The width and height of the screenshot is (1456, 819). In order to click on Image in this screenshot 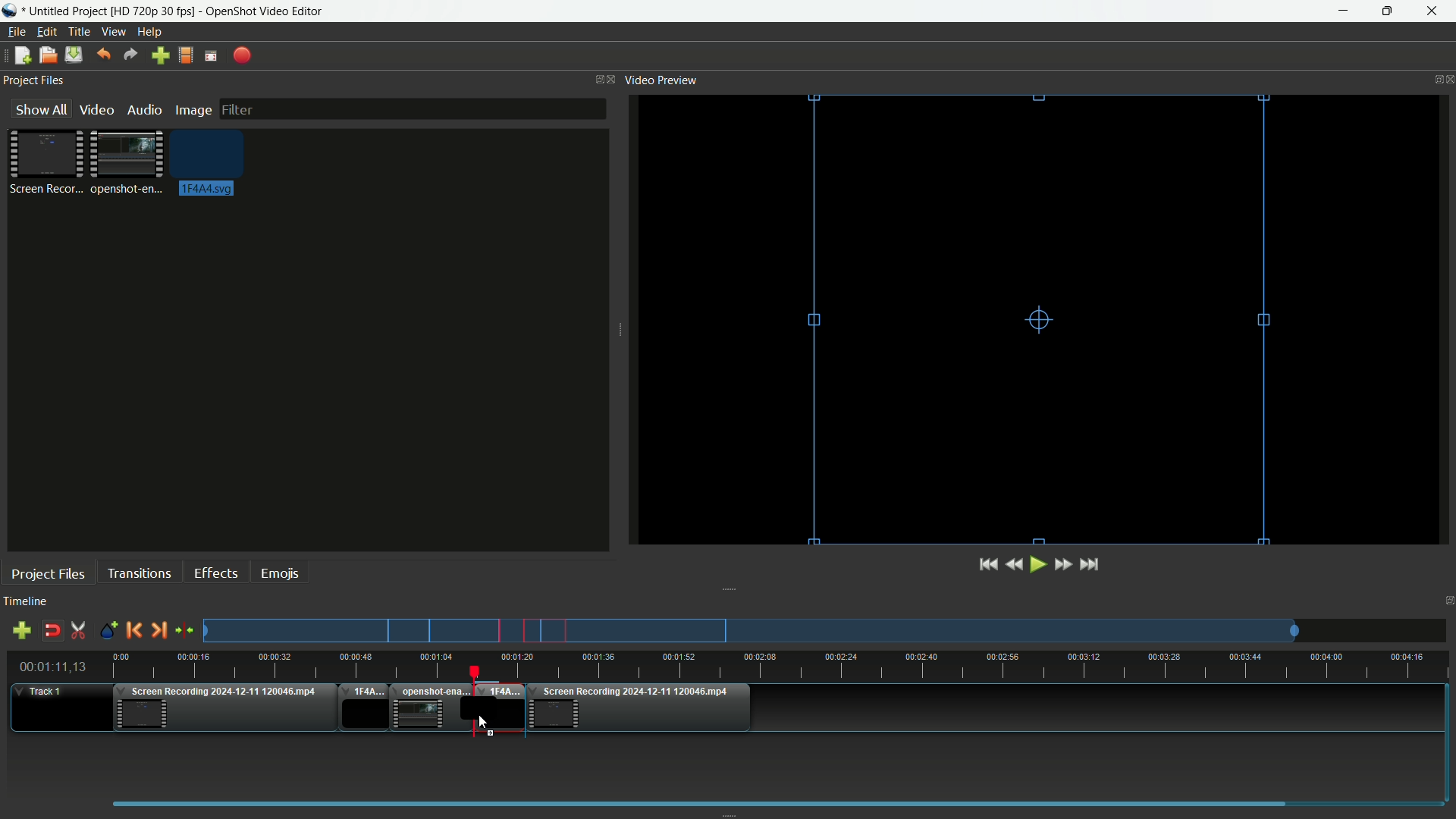, I will do `click(193, 111)`.